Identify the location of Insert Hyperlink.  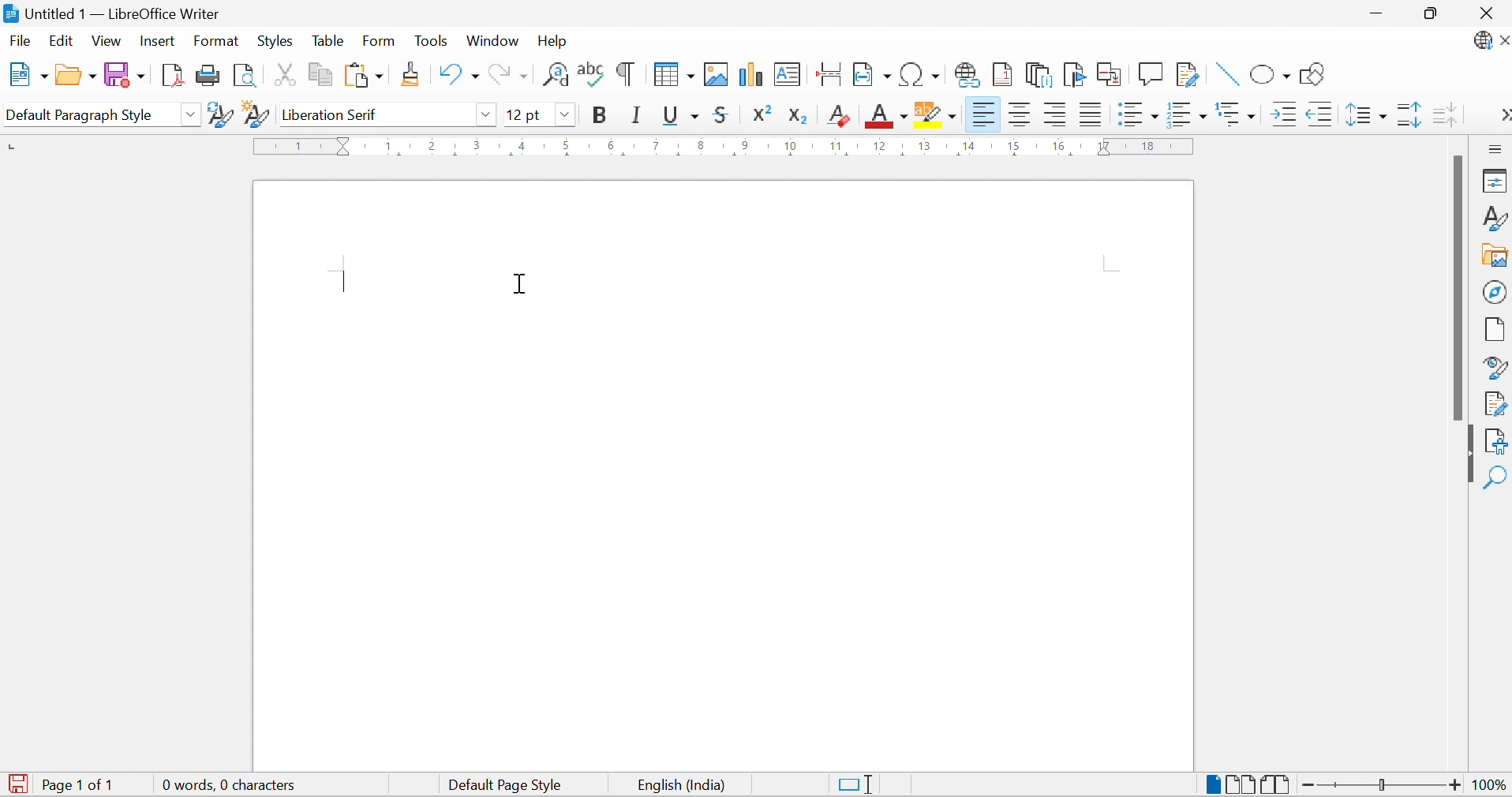
(967, 74).